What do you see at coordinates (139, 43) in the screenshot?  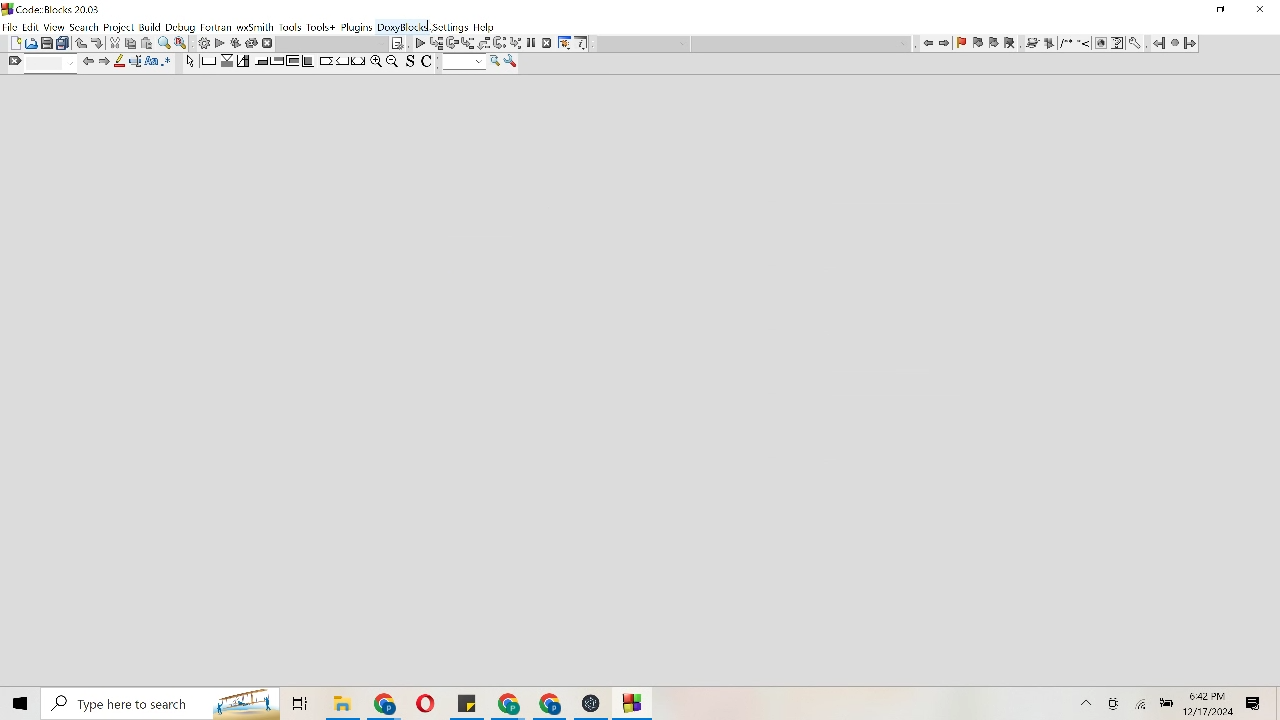 I see `Cut` at bounding box center [139, 43].